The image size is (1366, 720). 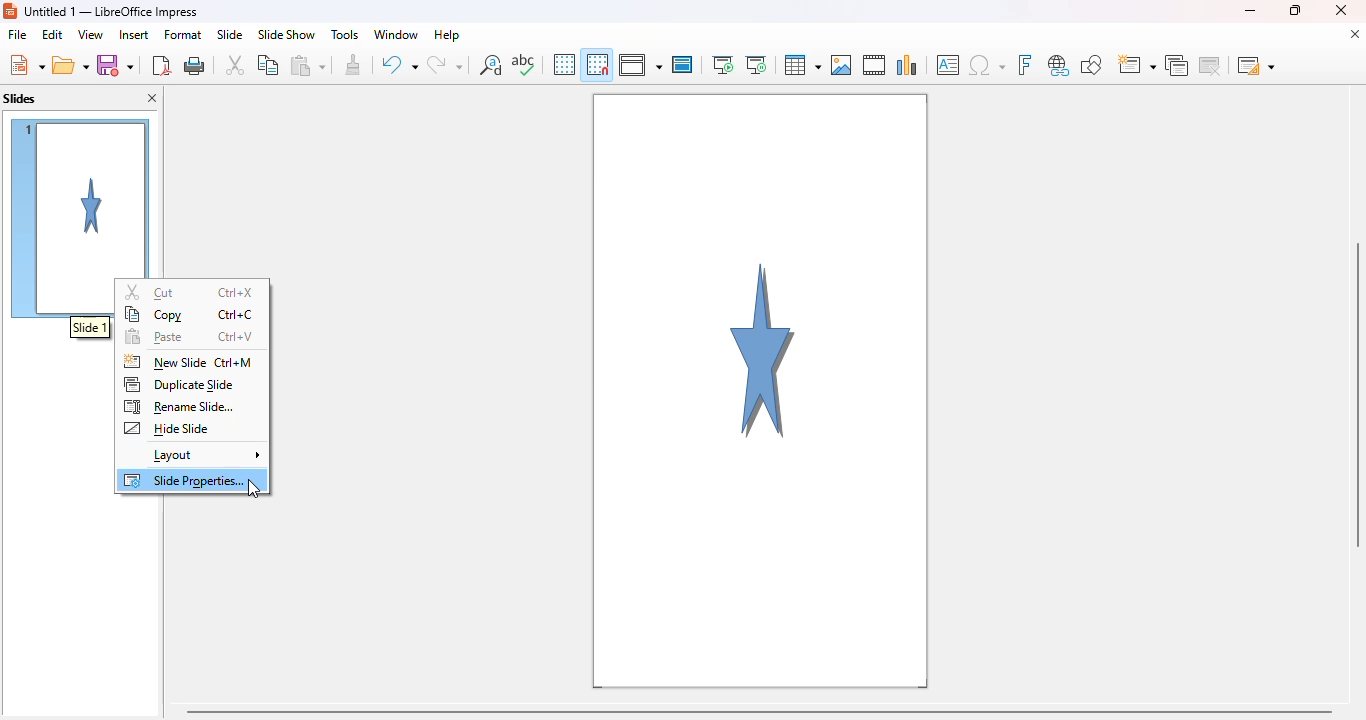 I want to click on duplicate slide, so click(x=1176, y=65).